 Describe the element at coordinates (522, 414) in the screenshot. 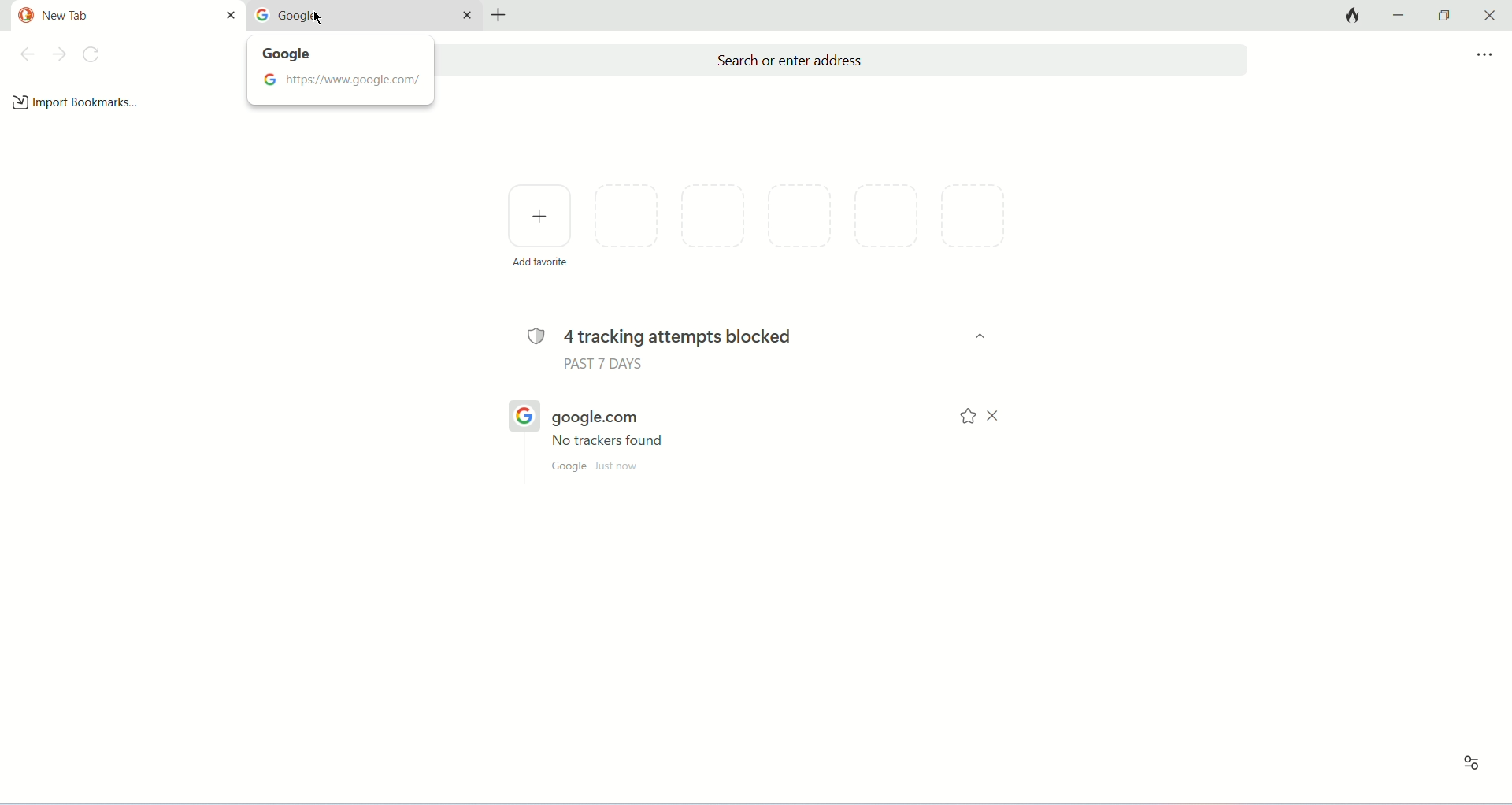

I see `google logo` at that location.